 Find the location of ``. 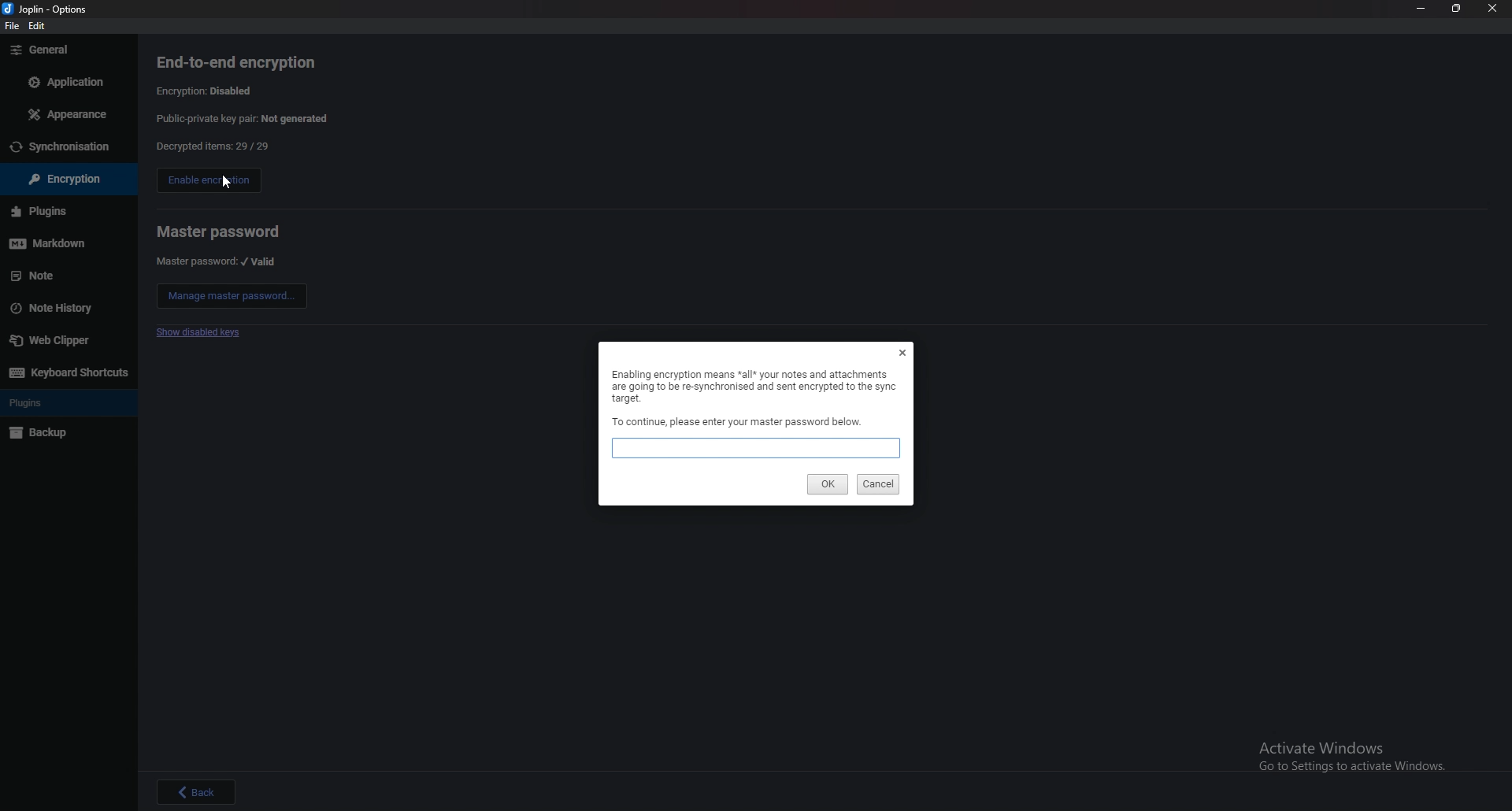

 is located at coordinates (1493, 10).